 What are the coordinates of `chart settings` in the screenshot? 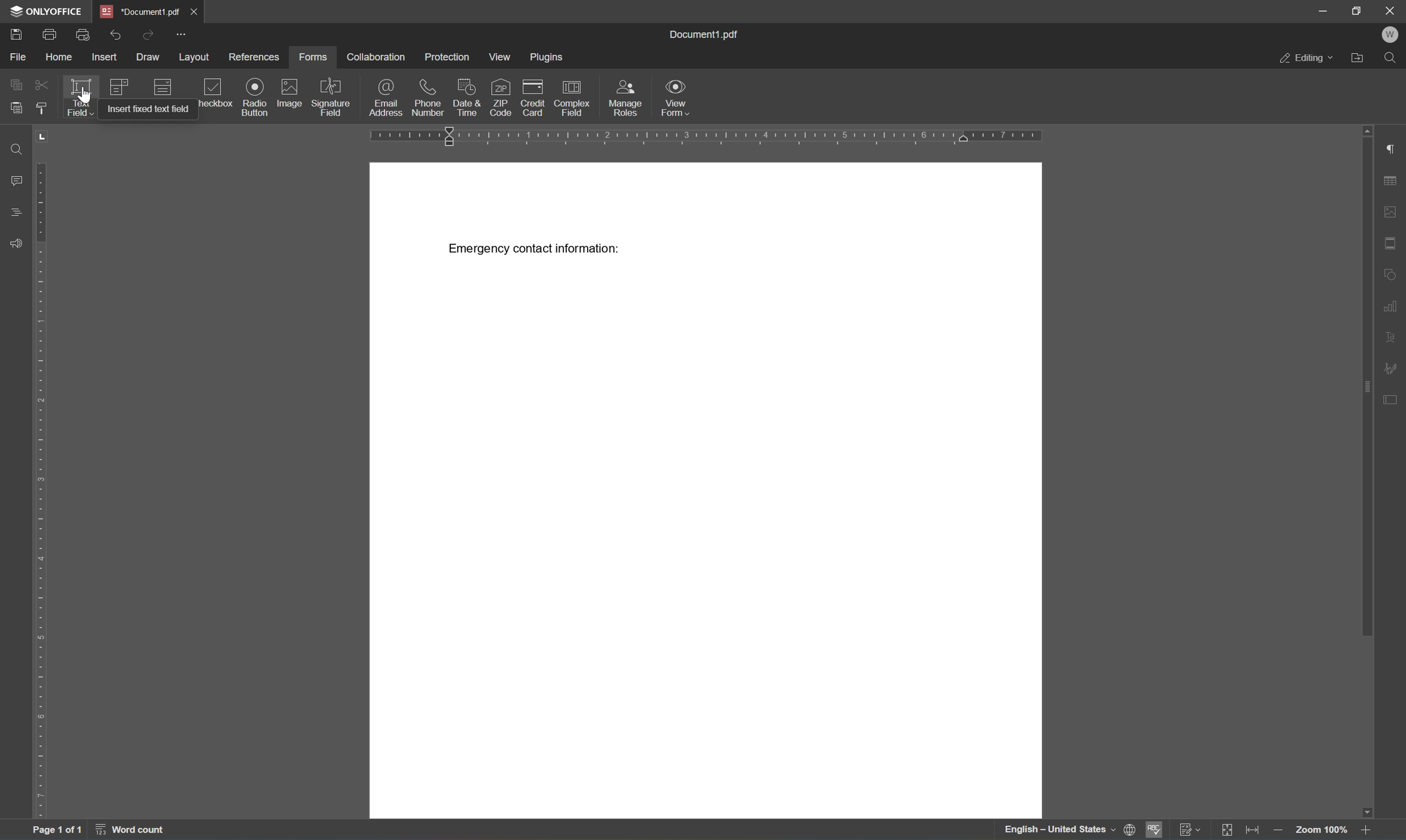 It's located at (1394, 305).